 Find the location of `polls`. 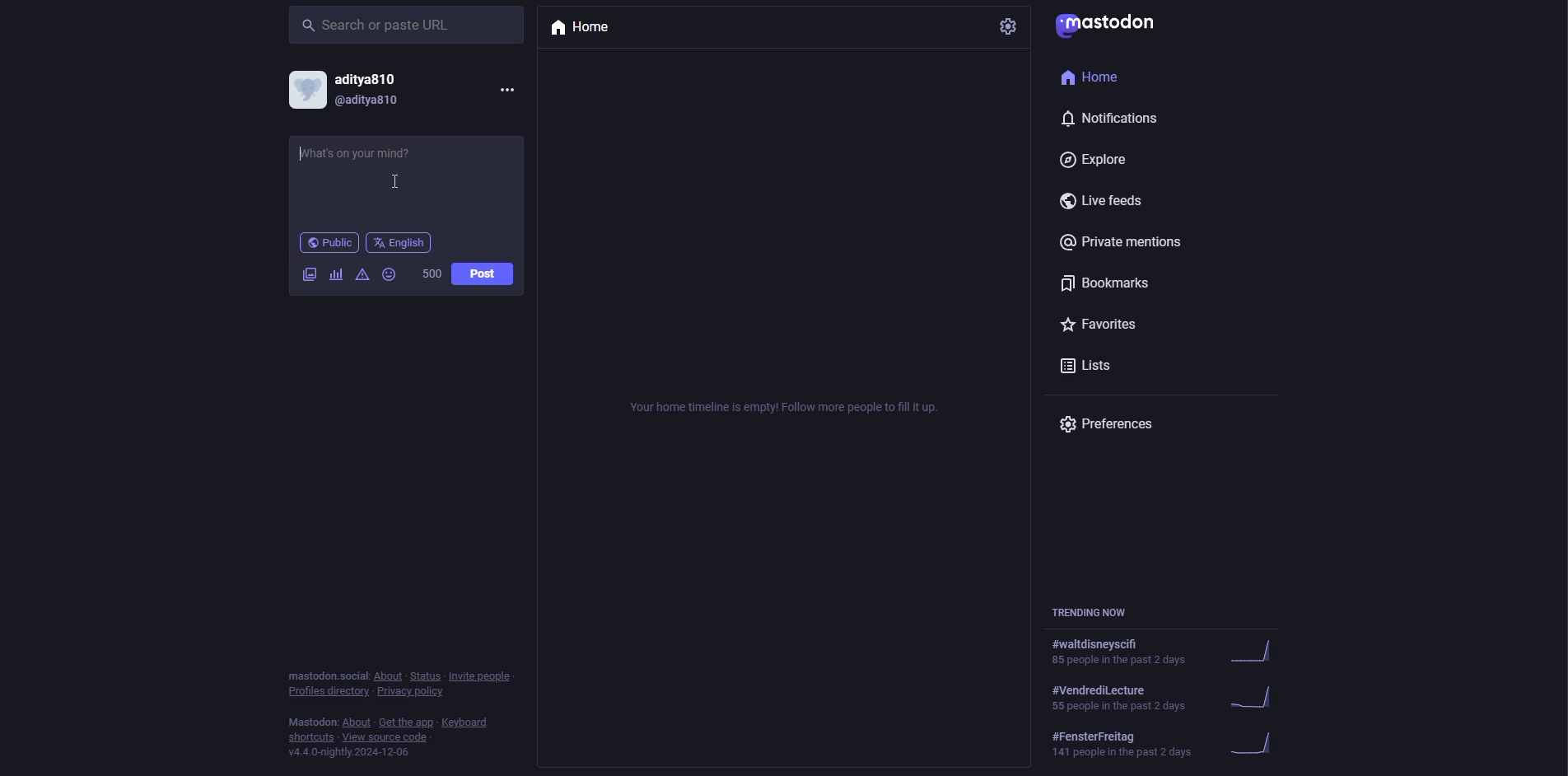

polls is located at coordinates (336, 274).